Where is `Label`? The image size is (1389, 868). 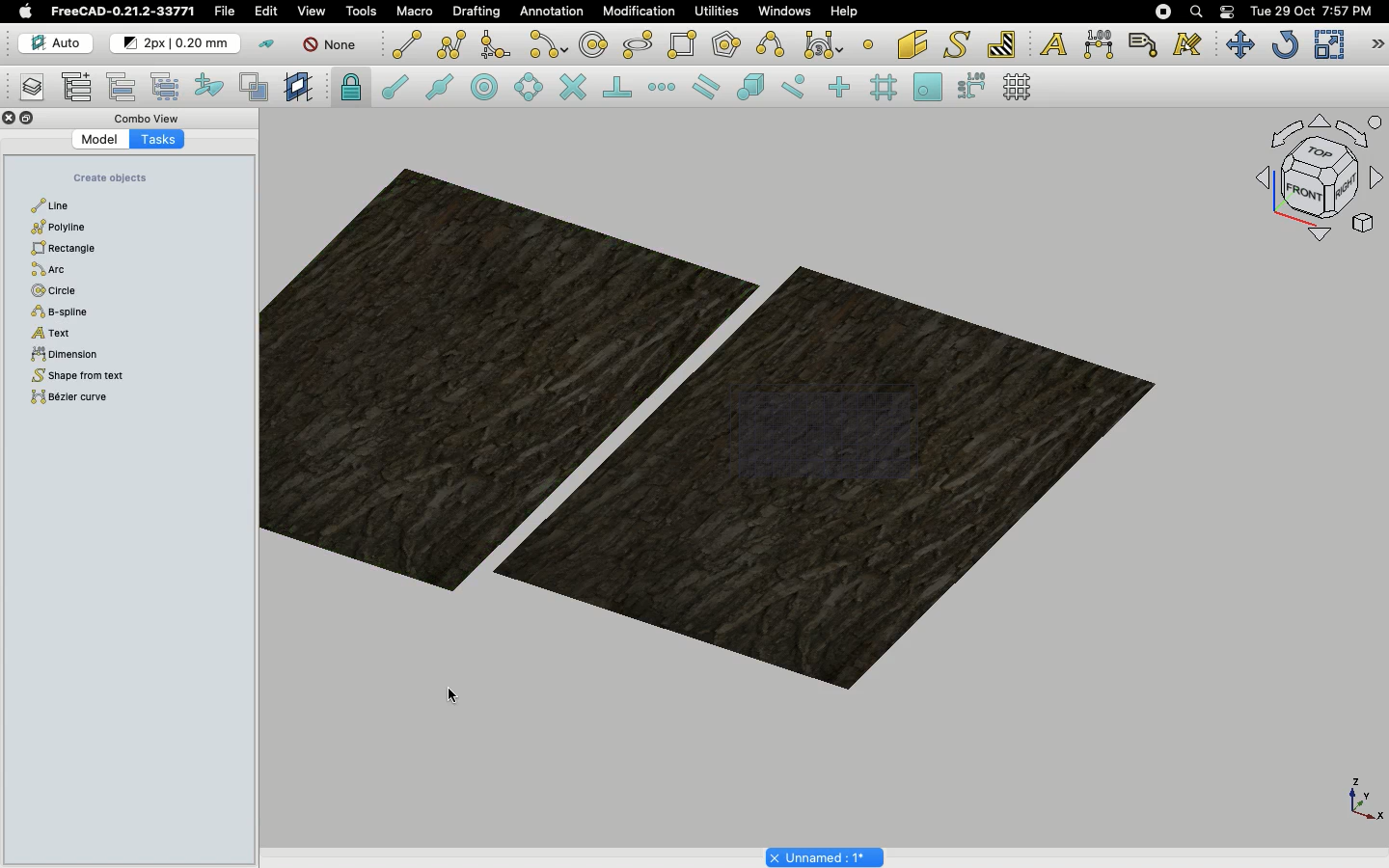 Label is located at coordinates (1146, 44).